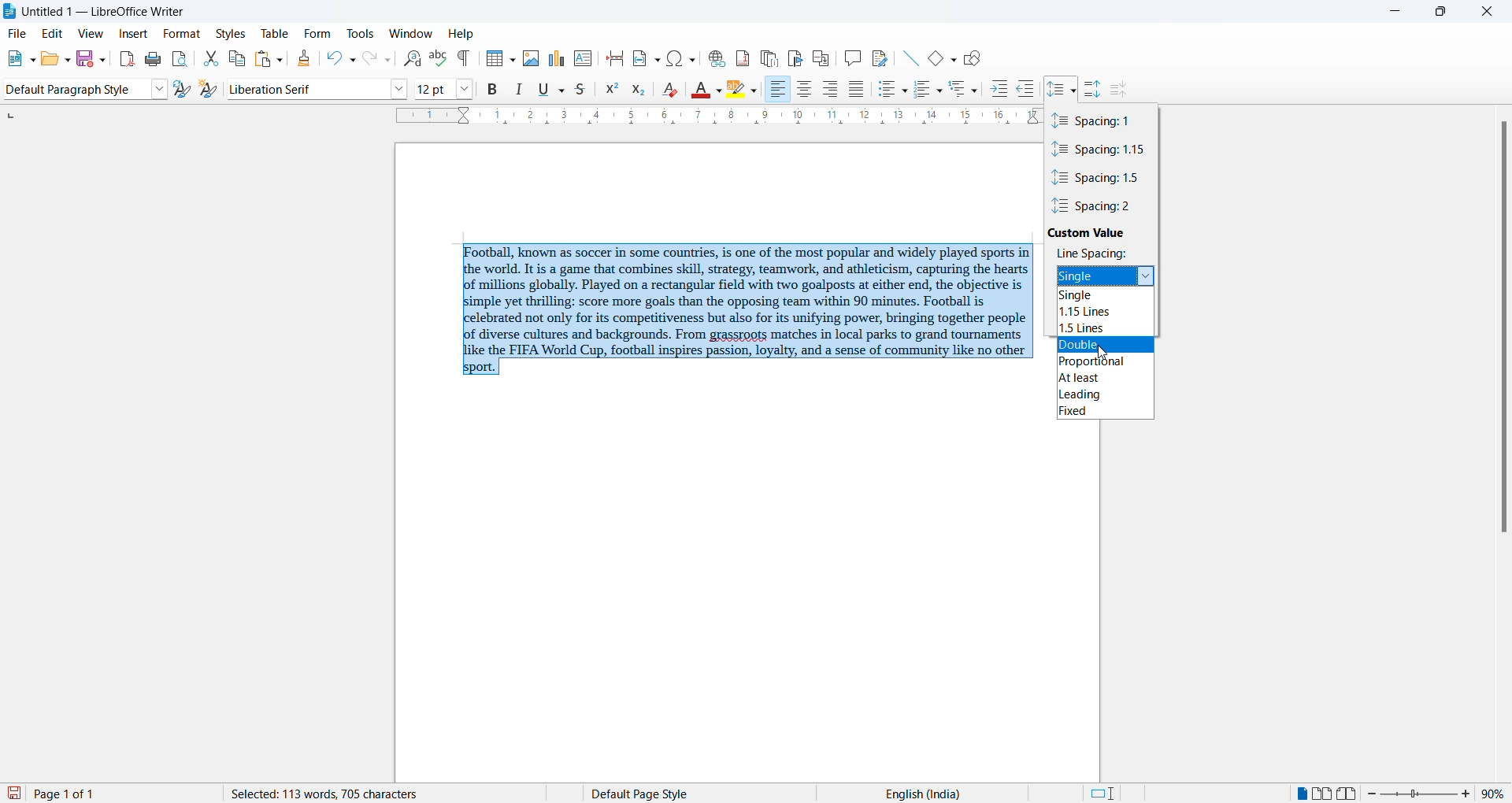 The height and width of the screenshot is (803, 1512). I want to click on line spacing option dropdown, so click(1073, 91).